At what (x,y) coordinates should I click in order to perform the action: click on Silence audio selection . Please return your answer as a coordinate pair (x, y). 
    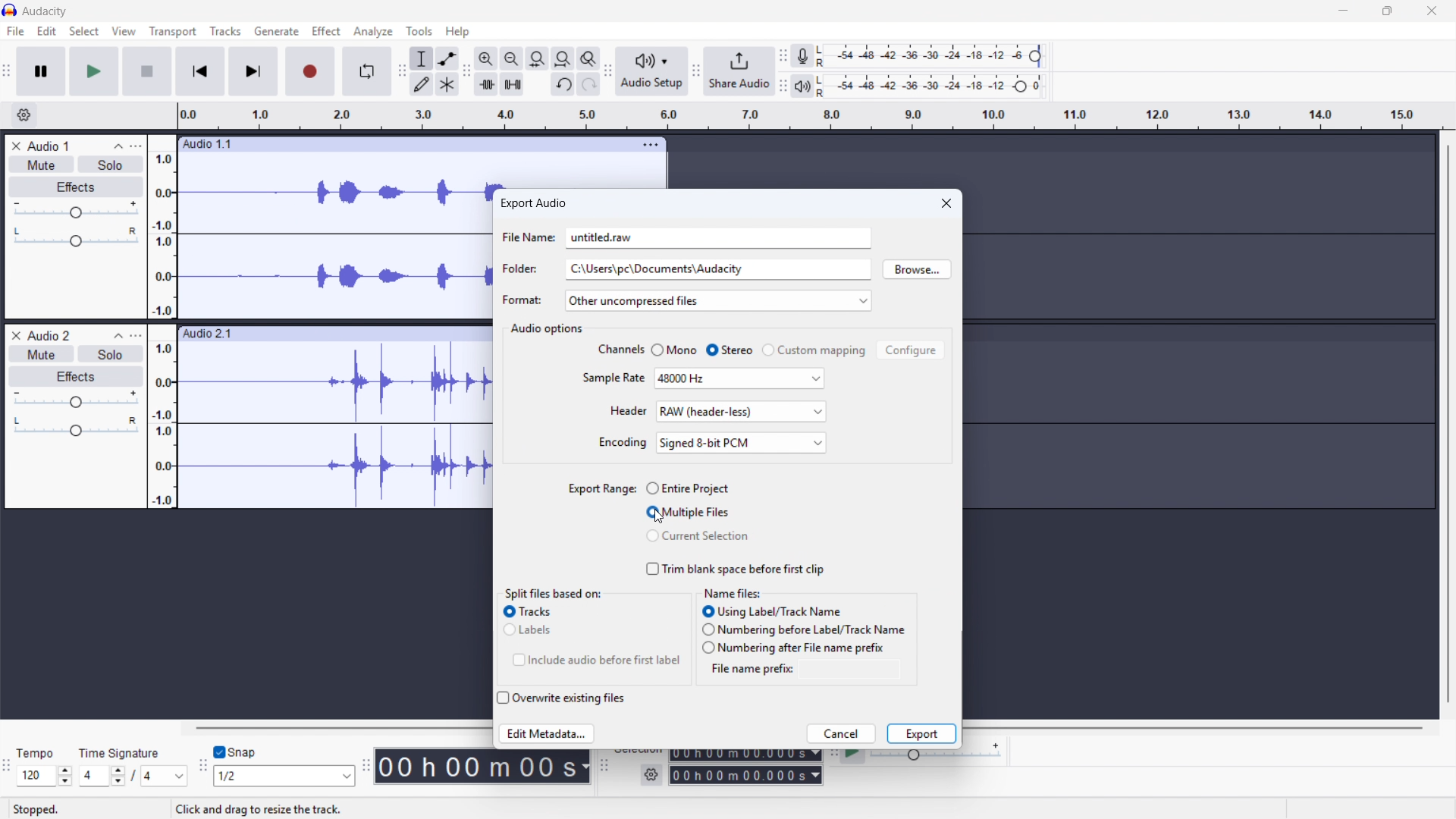
    Looking at the image, I should click on (512, 84).